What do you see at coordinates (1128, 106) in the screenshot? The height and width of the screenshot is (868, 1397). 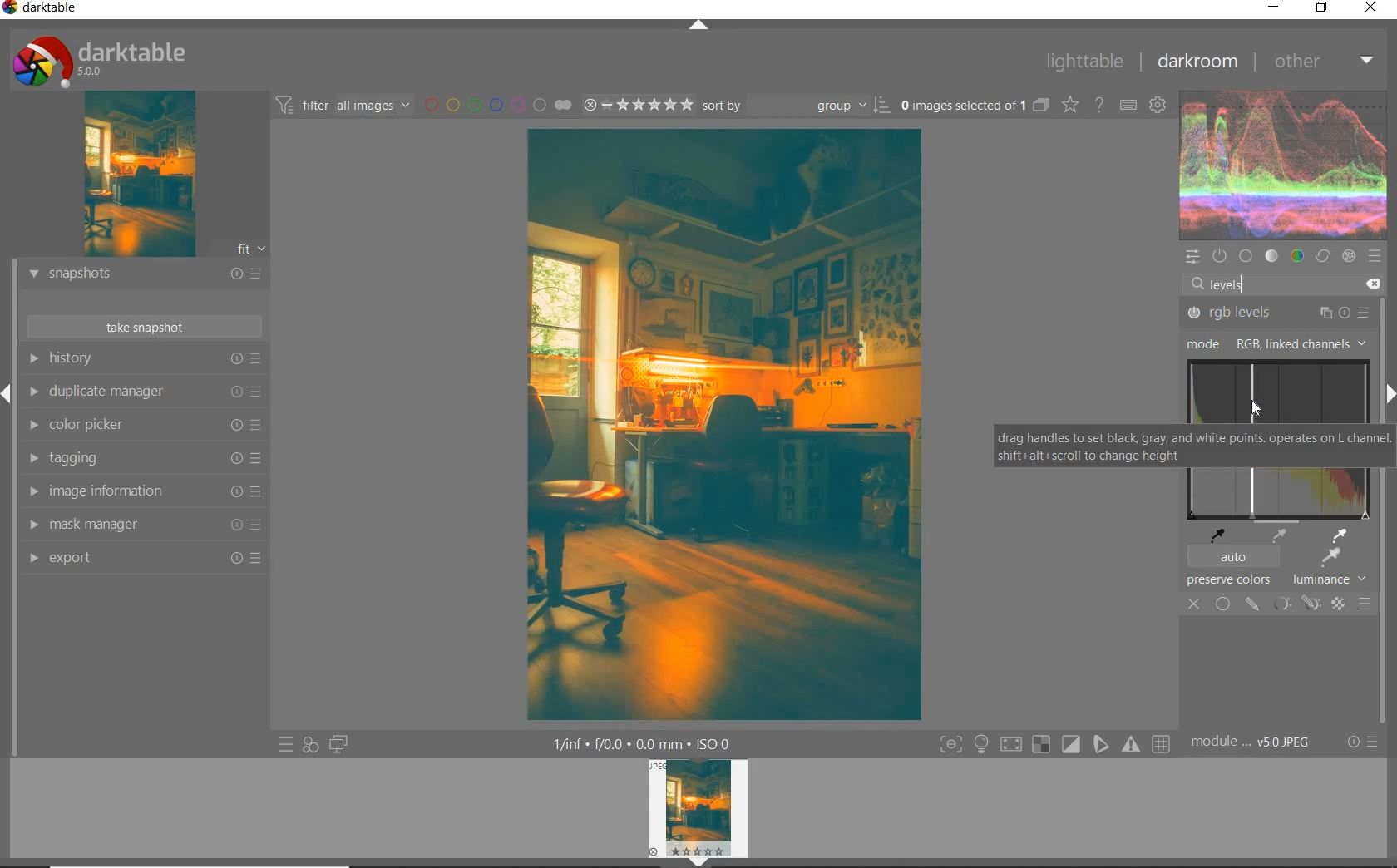 I see `set keyboard shortcuts` at bounding box center [1128, 106].